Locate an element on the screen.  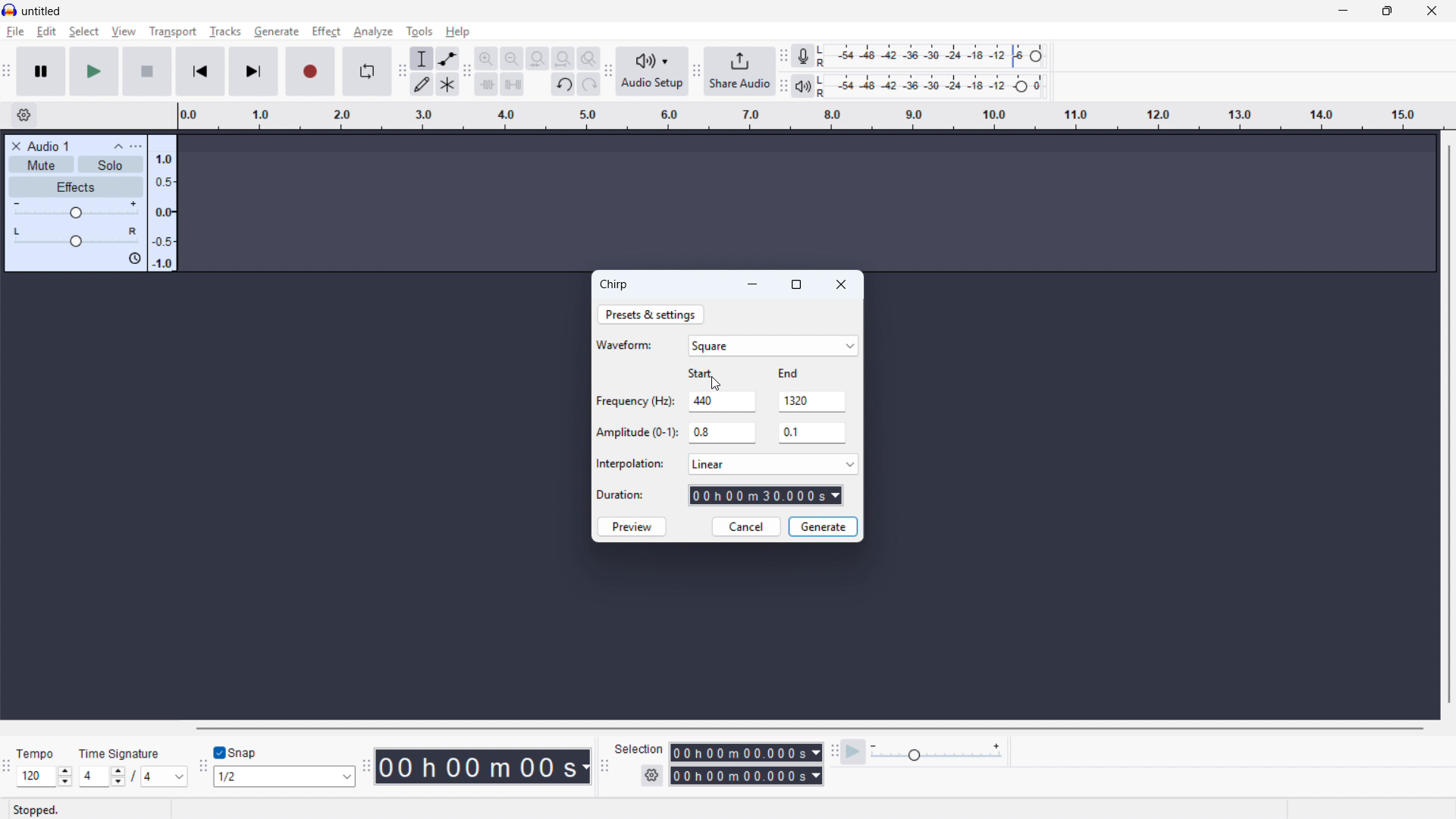
Frequency (Hz) is located at coordinates (635, 400).